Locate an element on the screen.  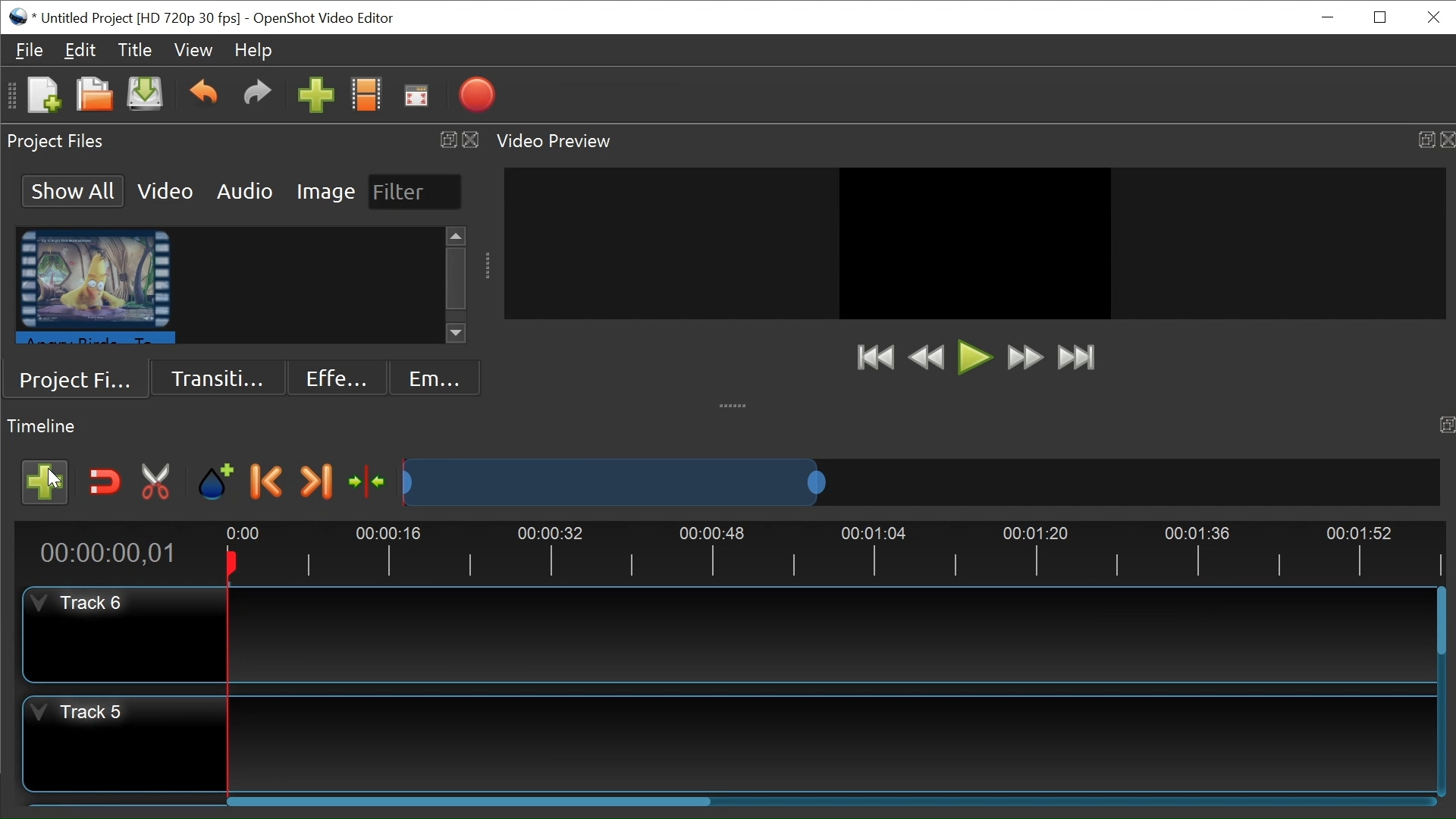
Add track is located at coordinates (46, 480).